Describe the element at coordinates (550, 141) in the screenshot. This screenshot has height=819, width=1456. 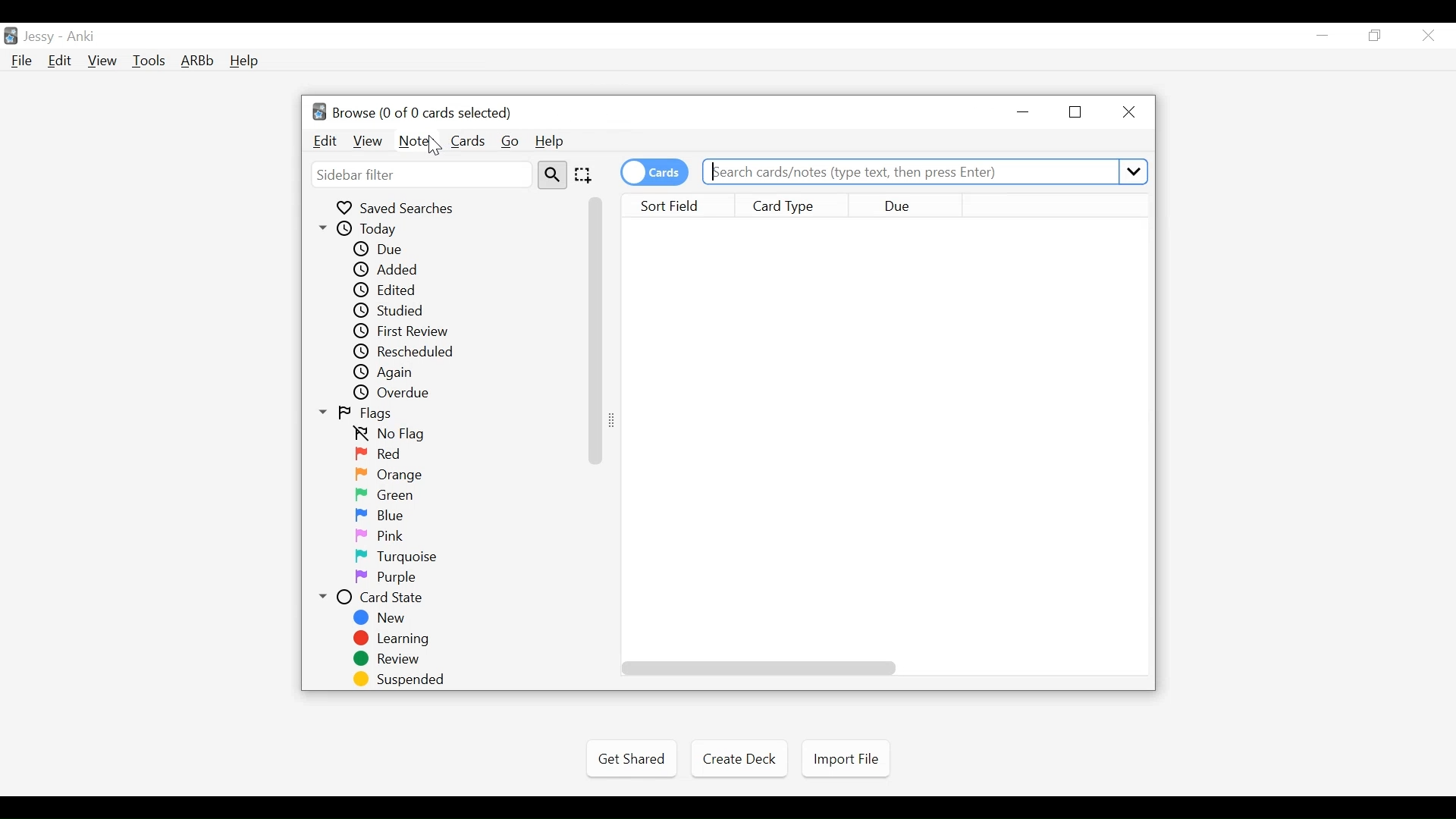
I see `Help` at that location.